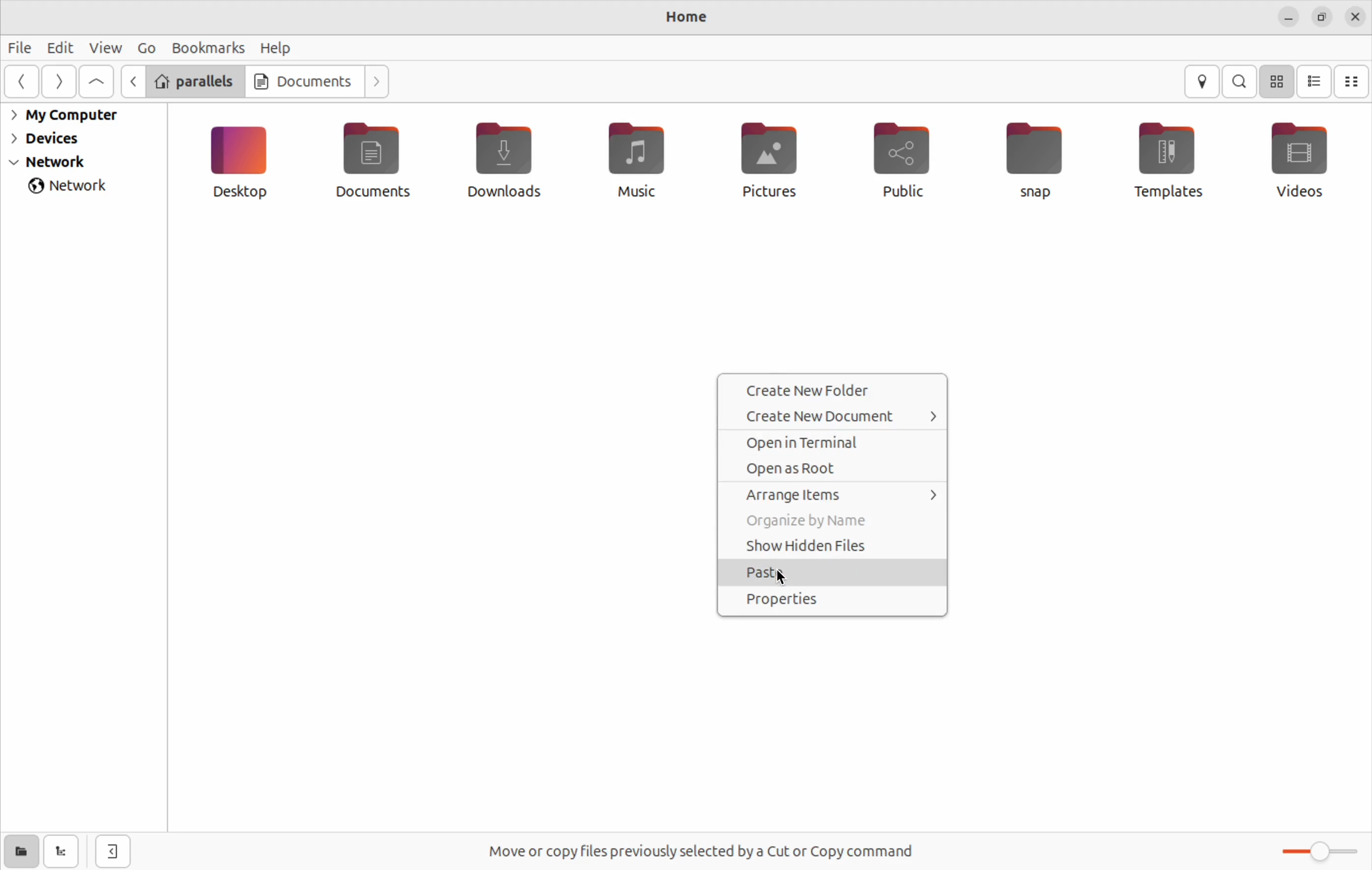 The width and height of the screenshot is (1372, 870). I want to click on go back, so click(24, 83).